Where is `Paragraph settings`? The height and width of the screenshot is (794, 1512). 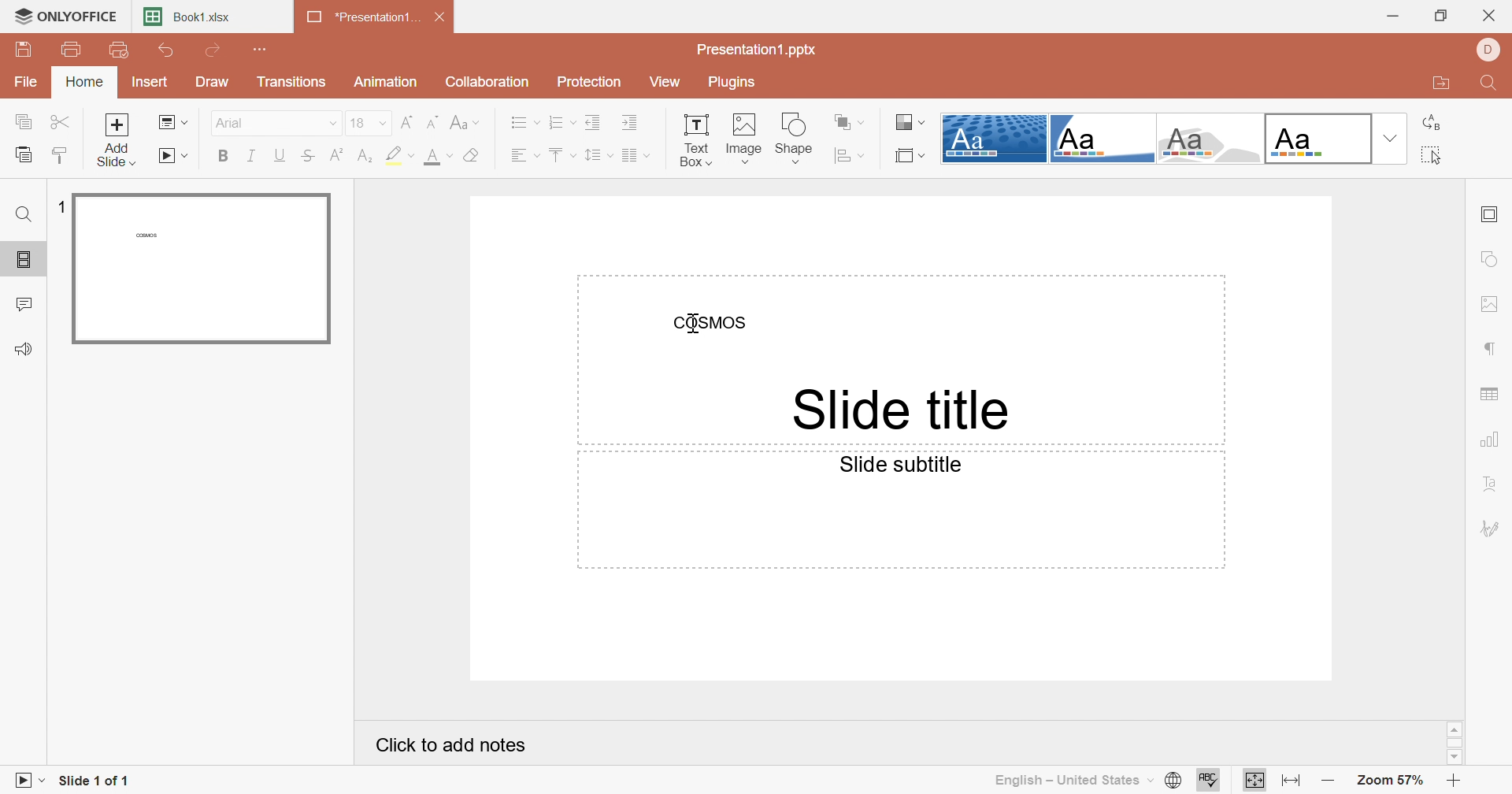 Paragraph settings is located at coordinates (1493, 351).